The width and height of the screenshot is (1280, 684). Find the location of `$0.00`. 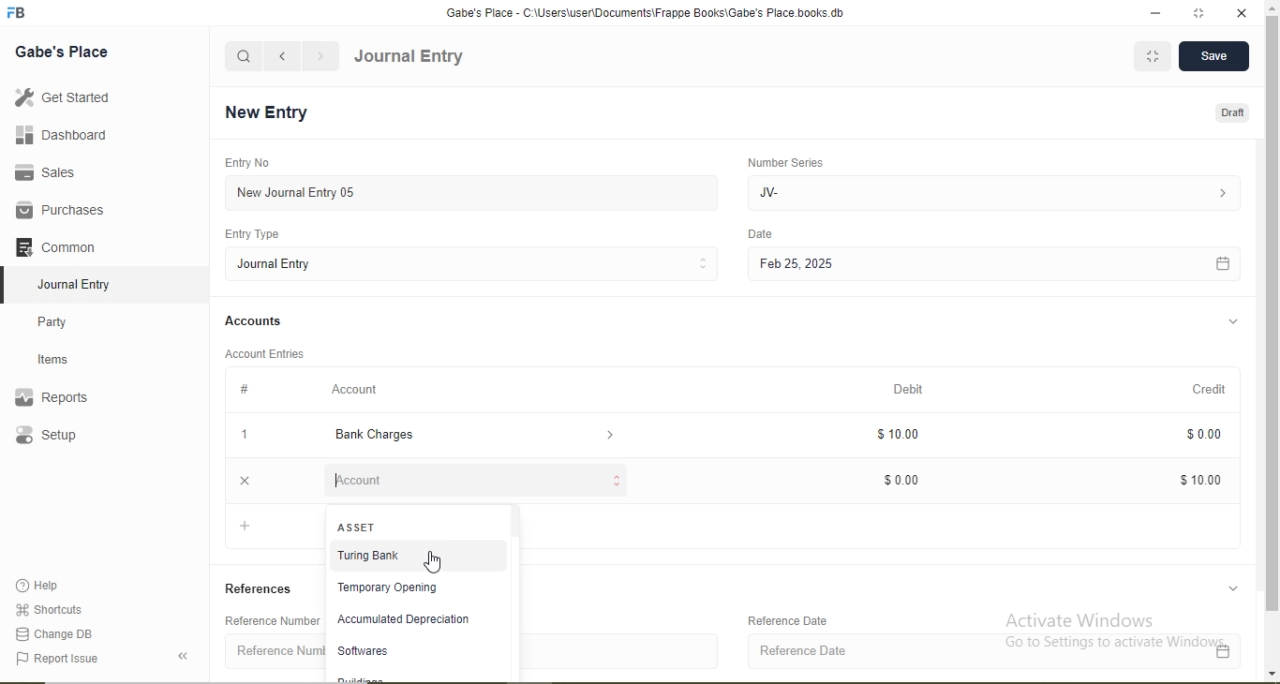

$0.00 is located at coordinates (911, 482).